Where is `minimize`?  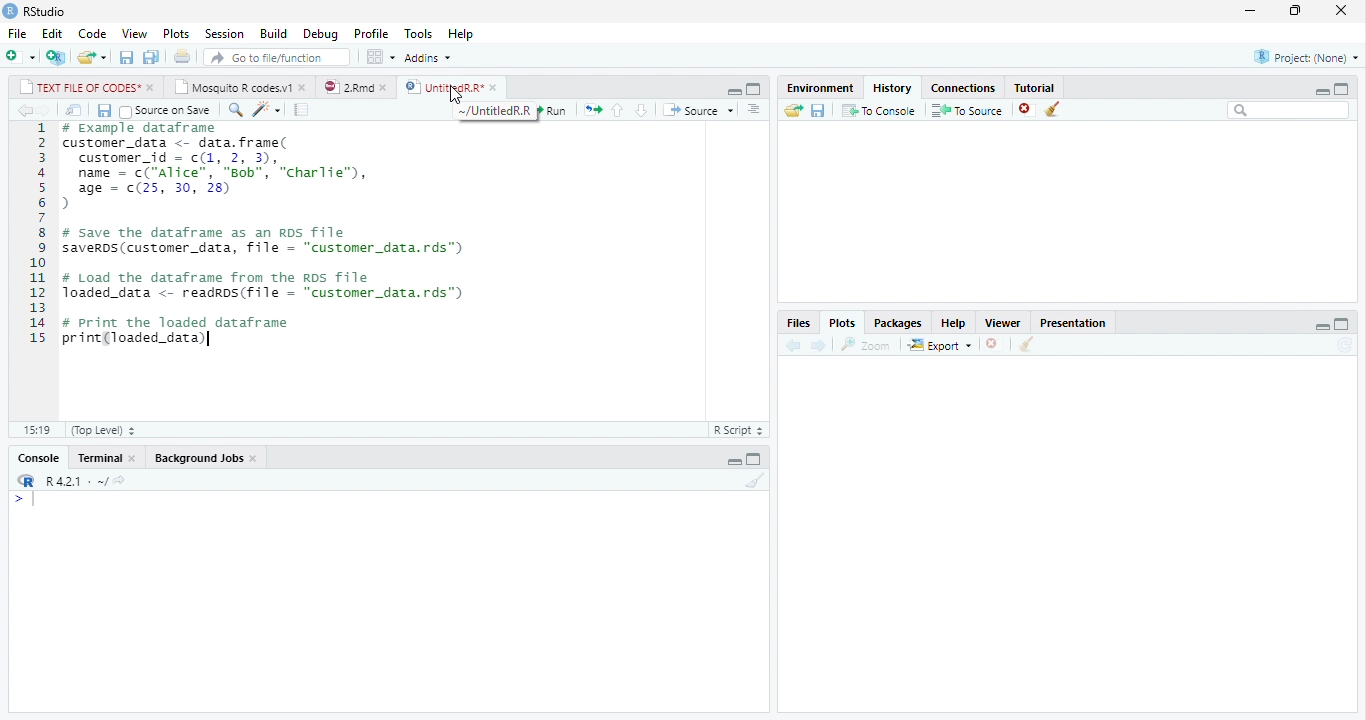
minimize is located at coordinates (1250, 10).